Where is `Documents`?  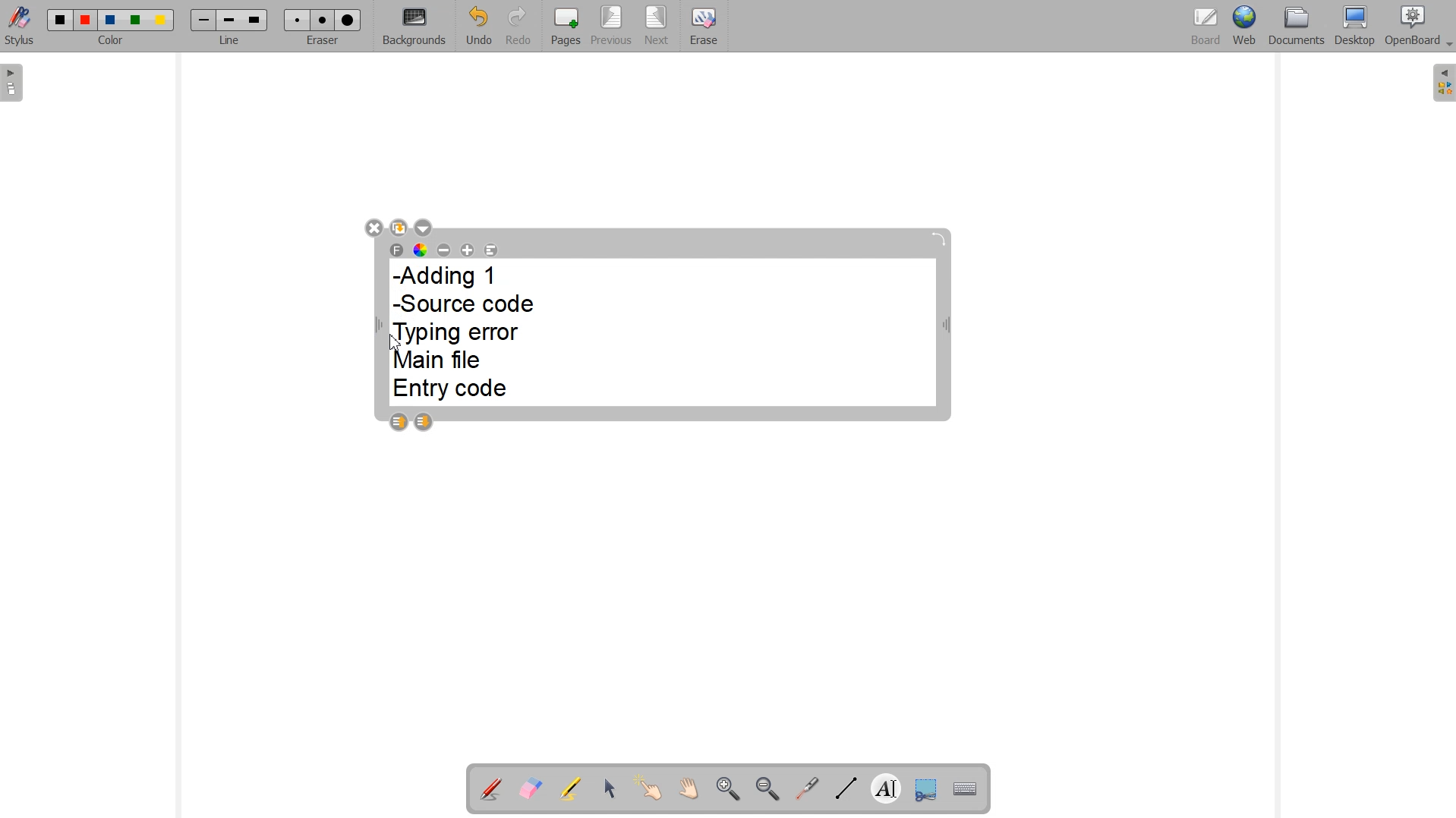 Documents is located at coordinates (1297, 27).